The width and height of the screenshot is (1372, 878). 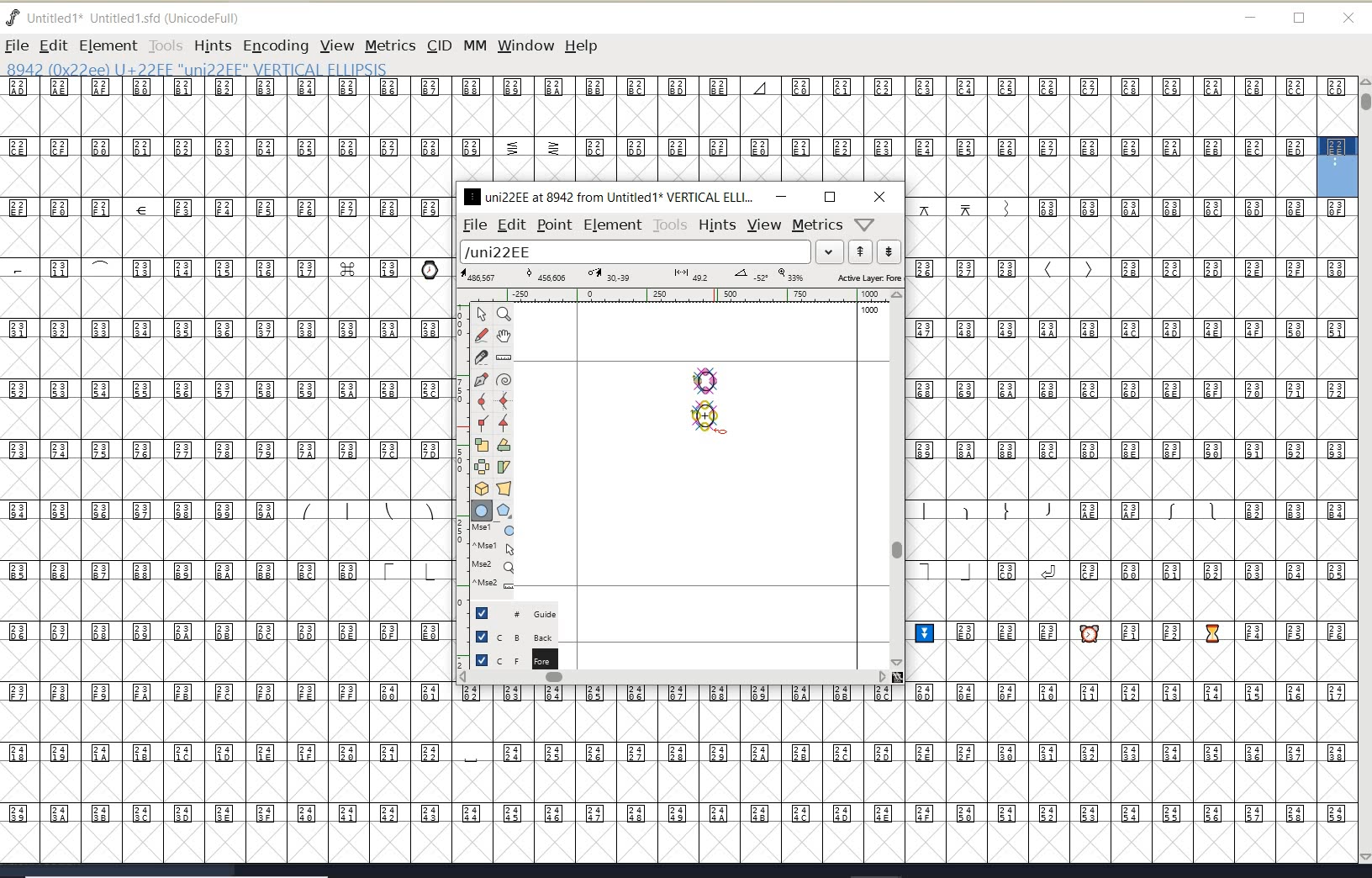 I want to click on background, so click(x=517, y=636).